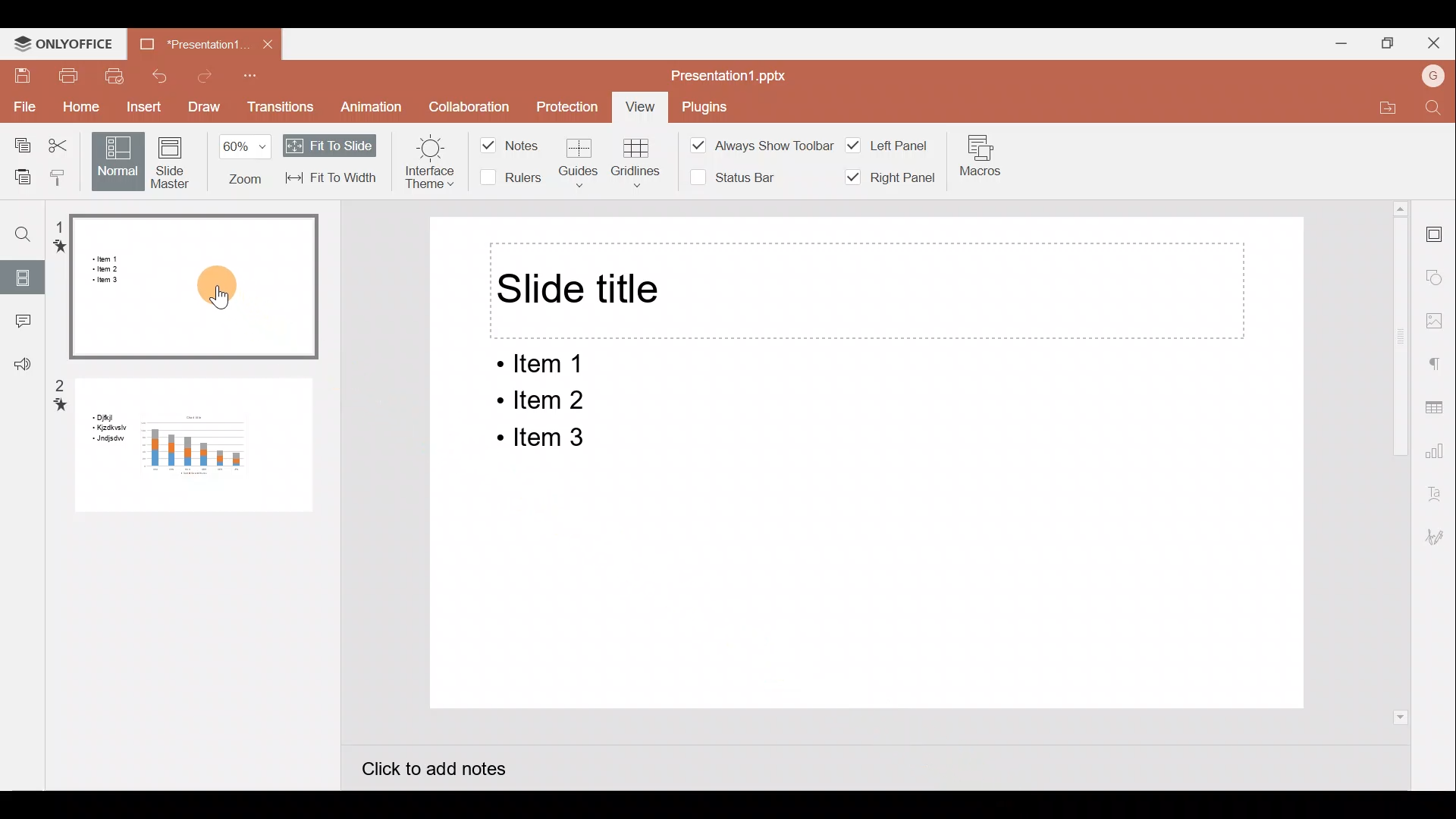  I want to click on Text Art settings, so click(1441, 491).